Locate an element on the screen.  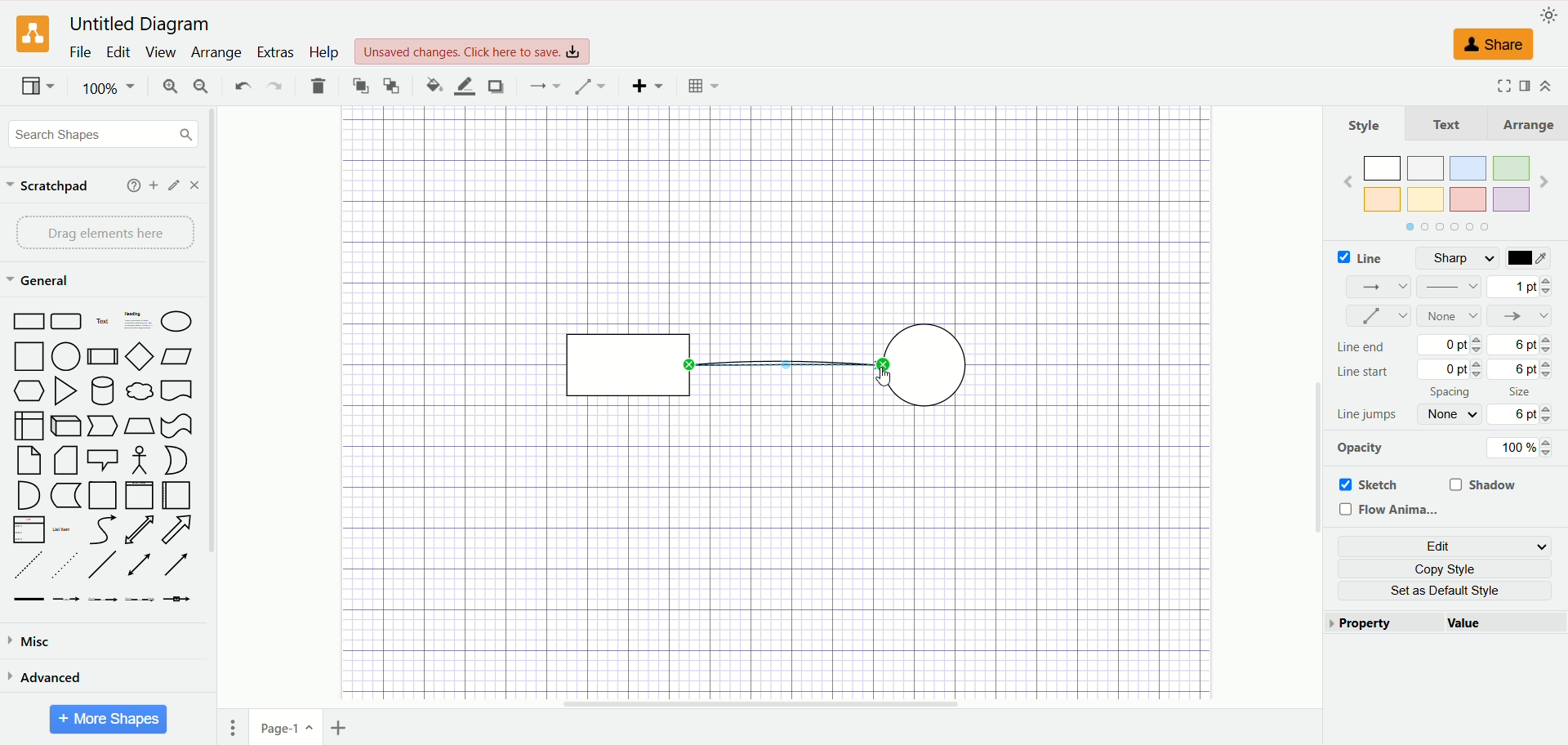
Dashed Line is located at coordinates (31, 564).